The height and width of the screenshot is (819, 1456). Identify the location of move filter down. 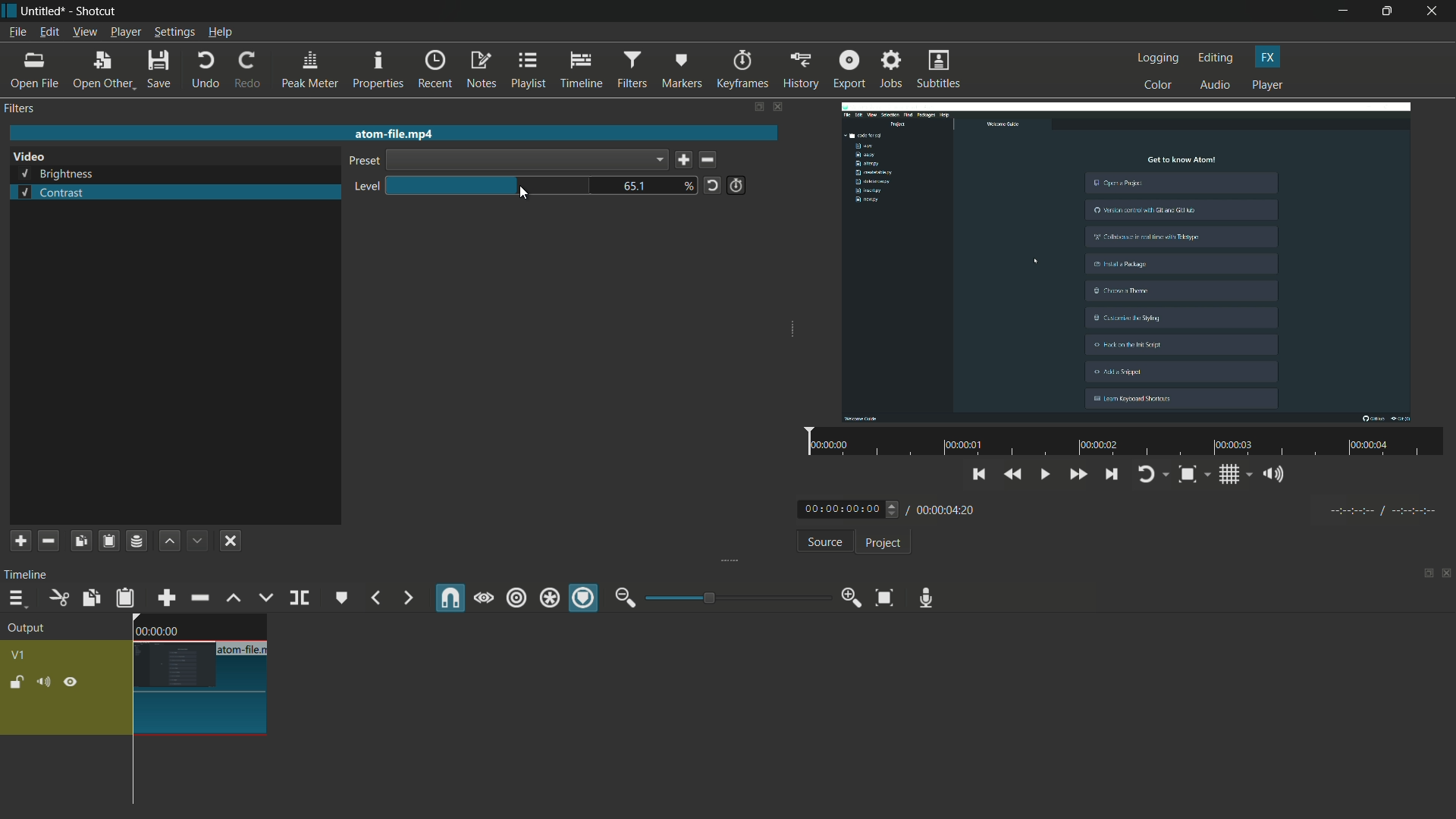
(199, 541).